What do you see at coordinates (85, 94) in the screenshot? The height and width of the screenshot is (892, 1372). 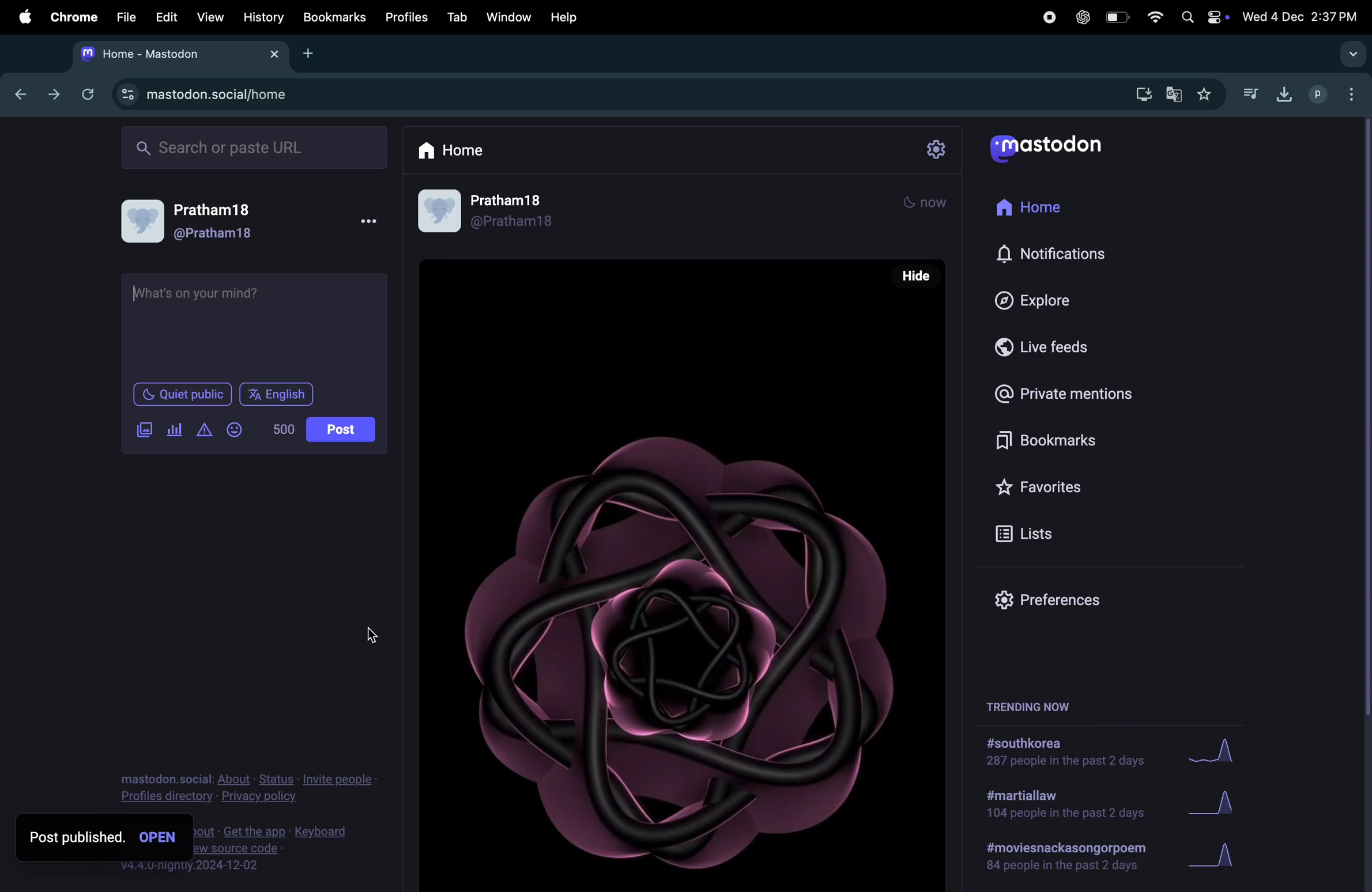 I see `refresh` at bounding box center [85, 94].